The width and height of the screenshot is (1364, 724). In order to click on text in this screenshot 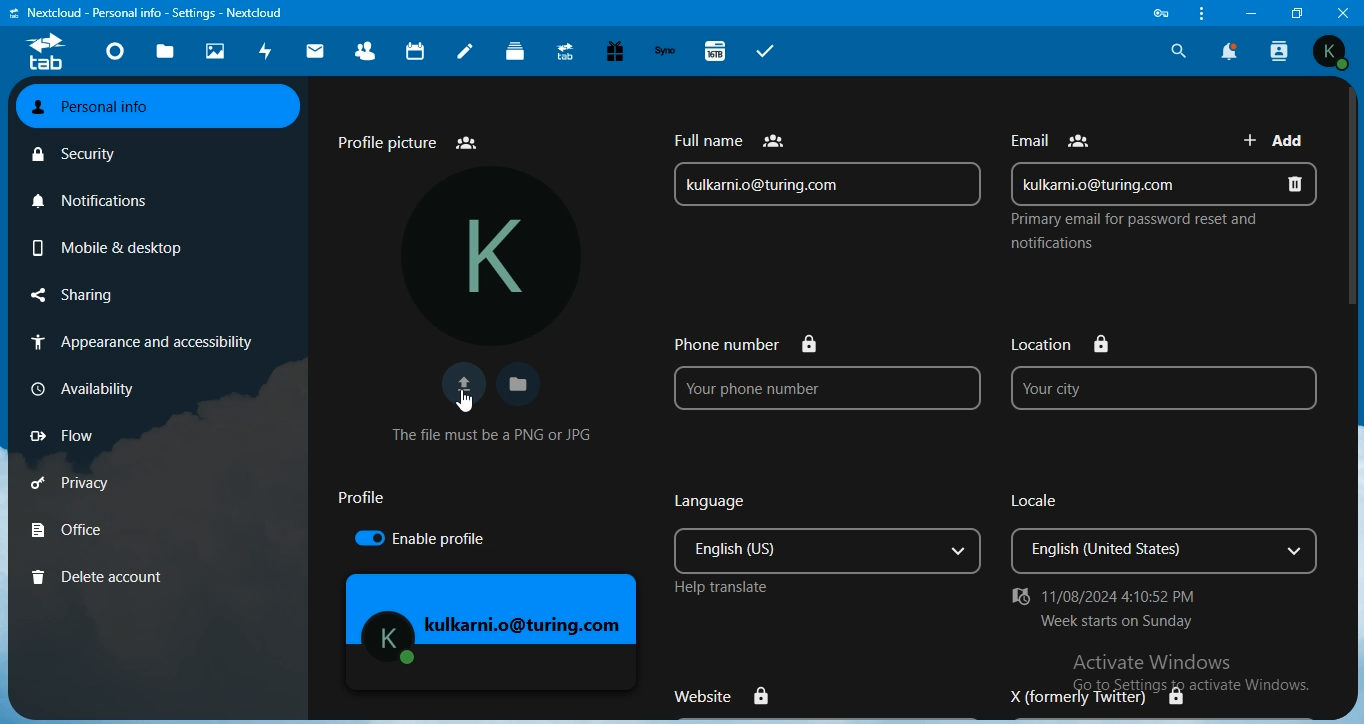, I will do `click(1130, 233)`.